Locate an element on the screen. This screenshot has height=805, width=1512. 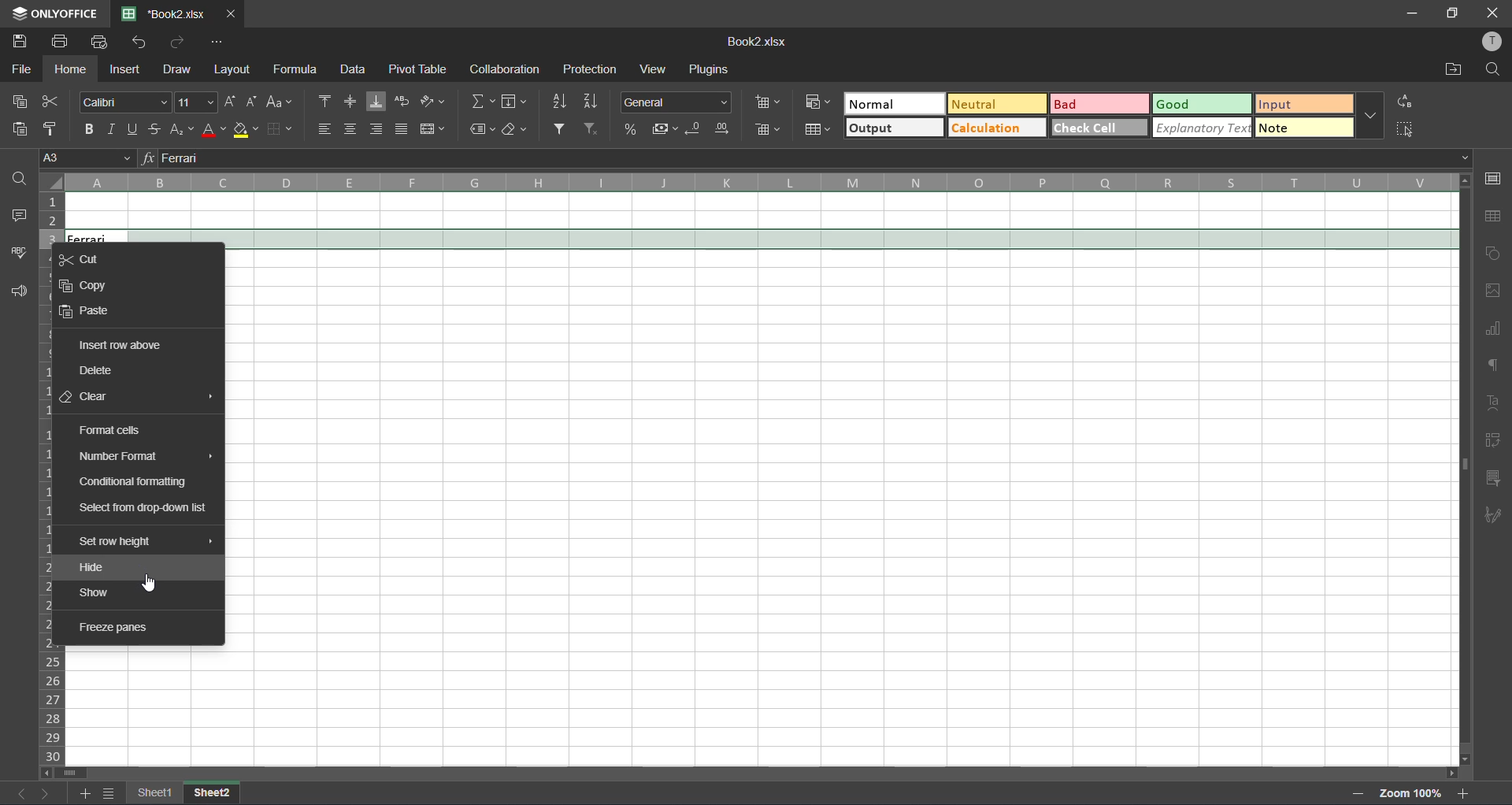
align top is located at coordinates (321, 102).